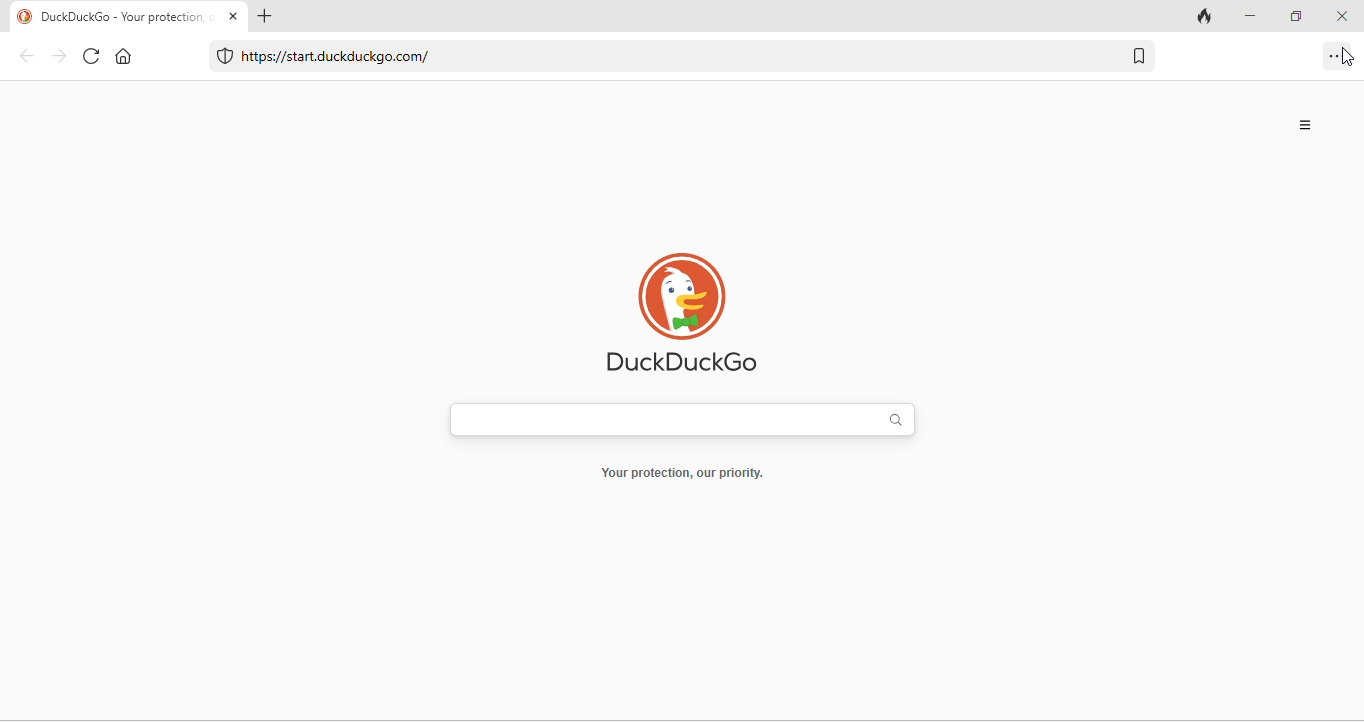 The image size is (1364, 722). Describe the element at coordinates (1206, 16) in the screenshot. I see `clear cache and all data` at that location.